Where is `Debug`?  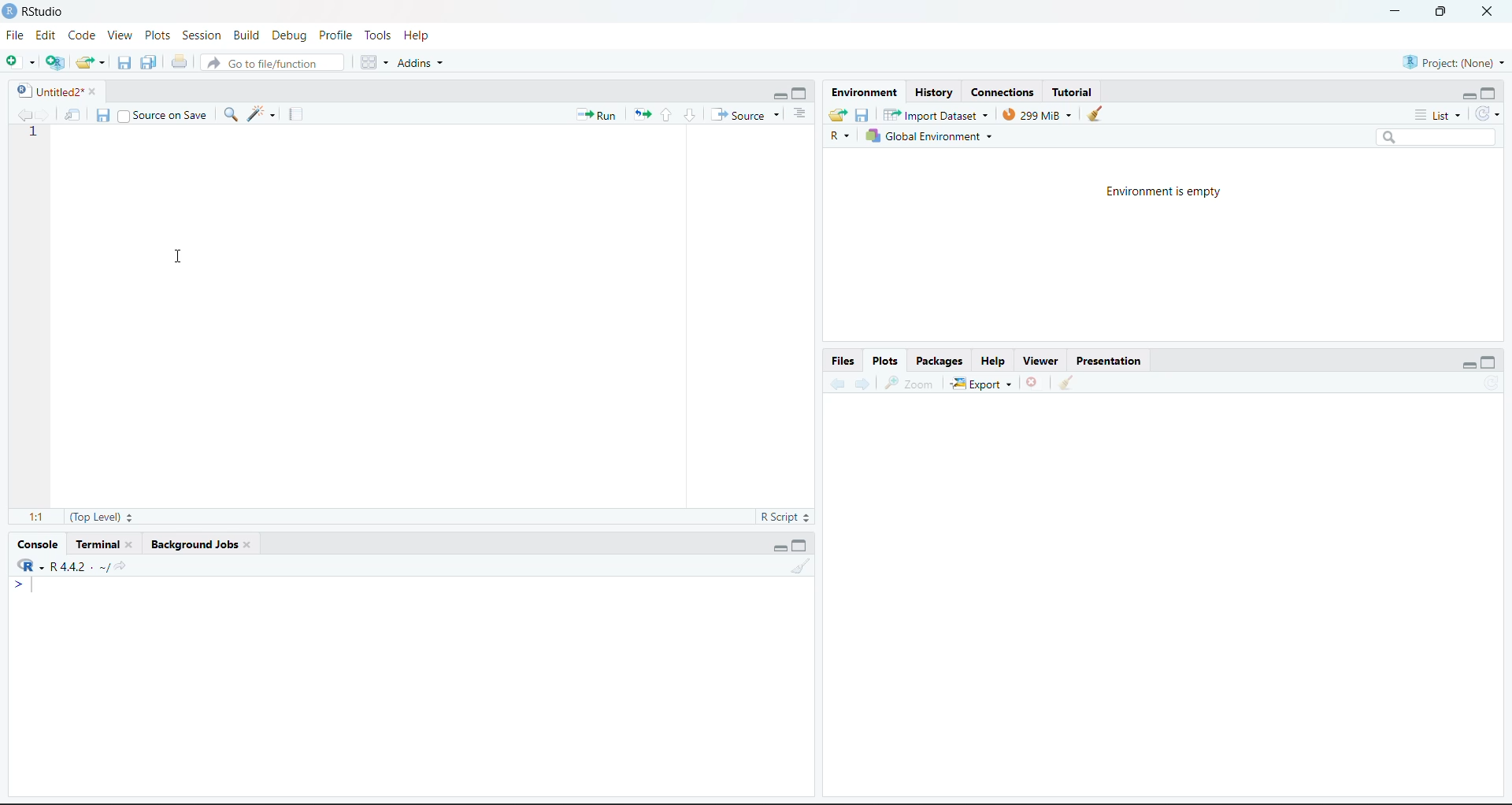 Debug is located at coordinates (290, 35).